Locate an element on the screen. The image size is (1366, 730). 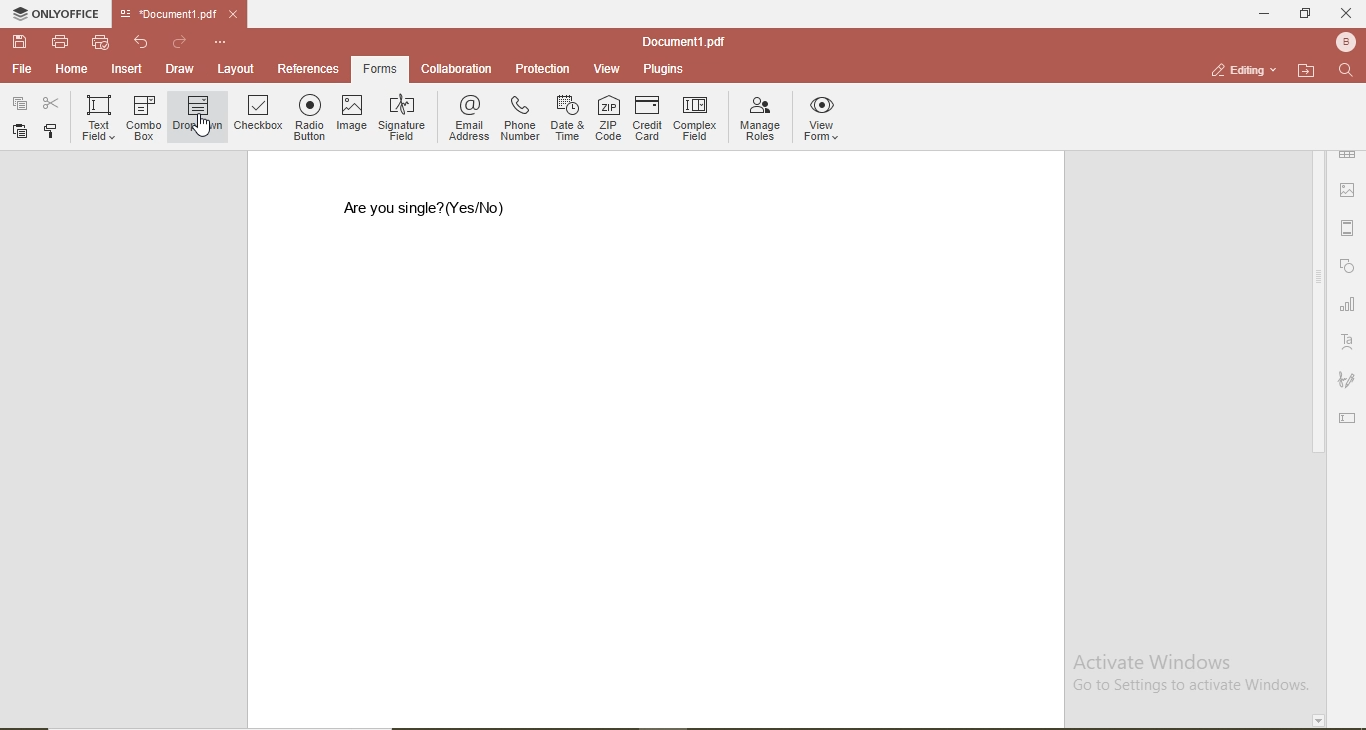
minimise is located at coordinates (1262, 15).